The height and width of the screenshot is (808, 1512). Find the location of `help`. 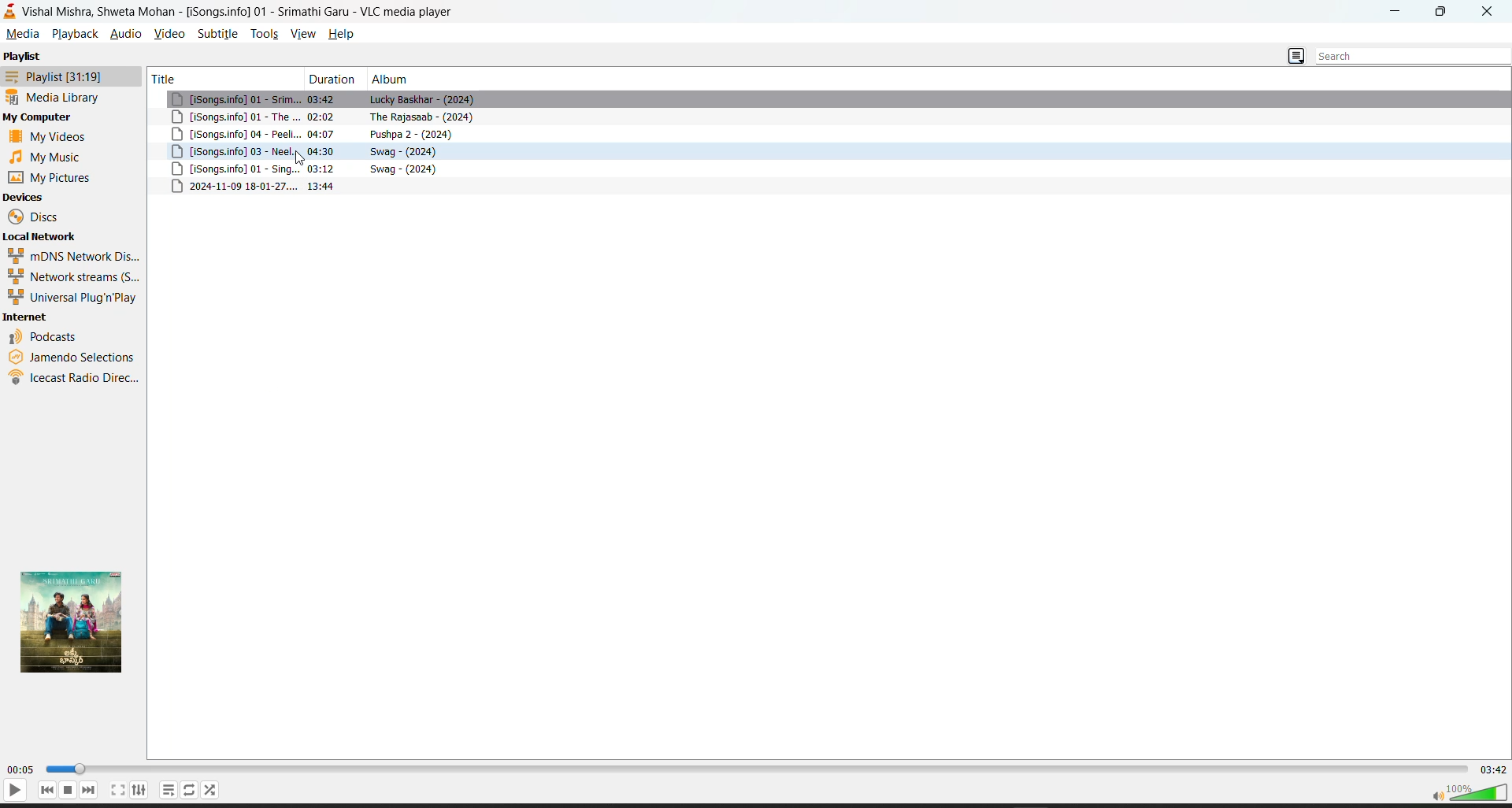

help is located at coordinates (341, 32).